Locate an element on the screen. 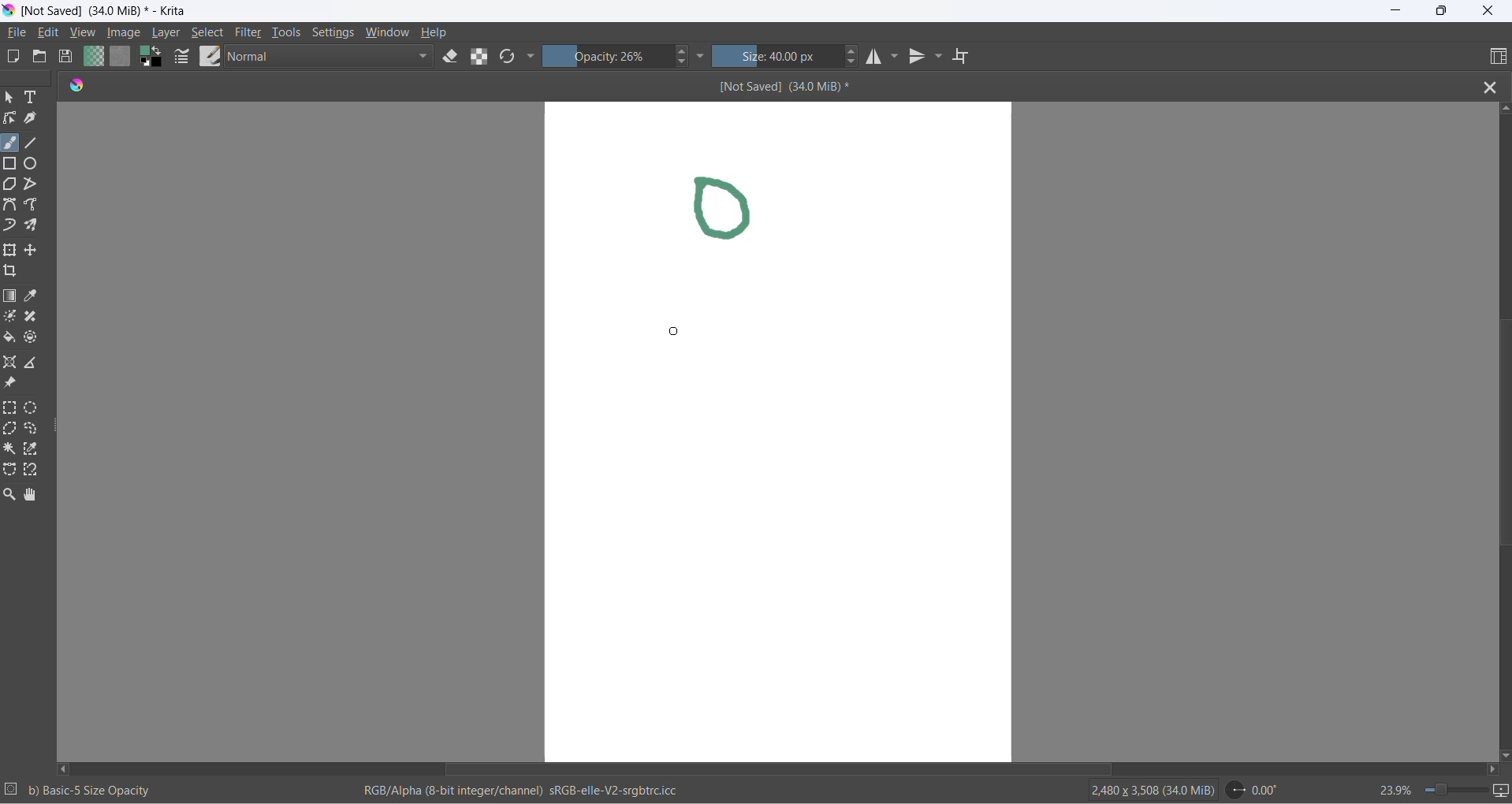  transform a layer is located at coordinates (12, 251).